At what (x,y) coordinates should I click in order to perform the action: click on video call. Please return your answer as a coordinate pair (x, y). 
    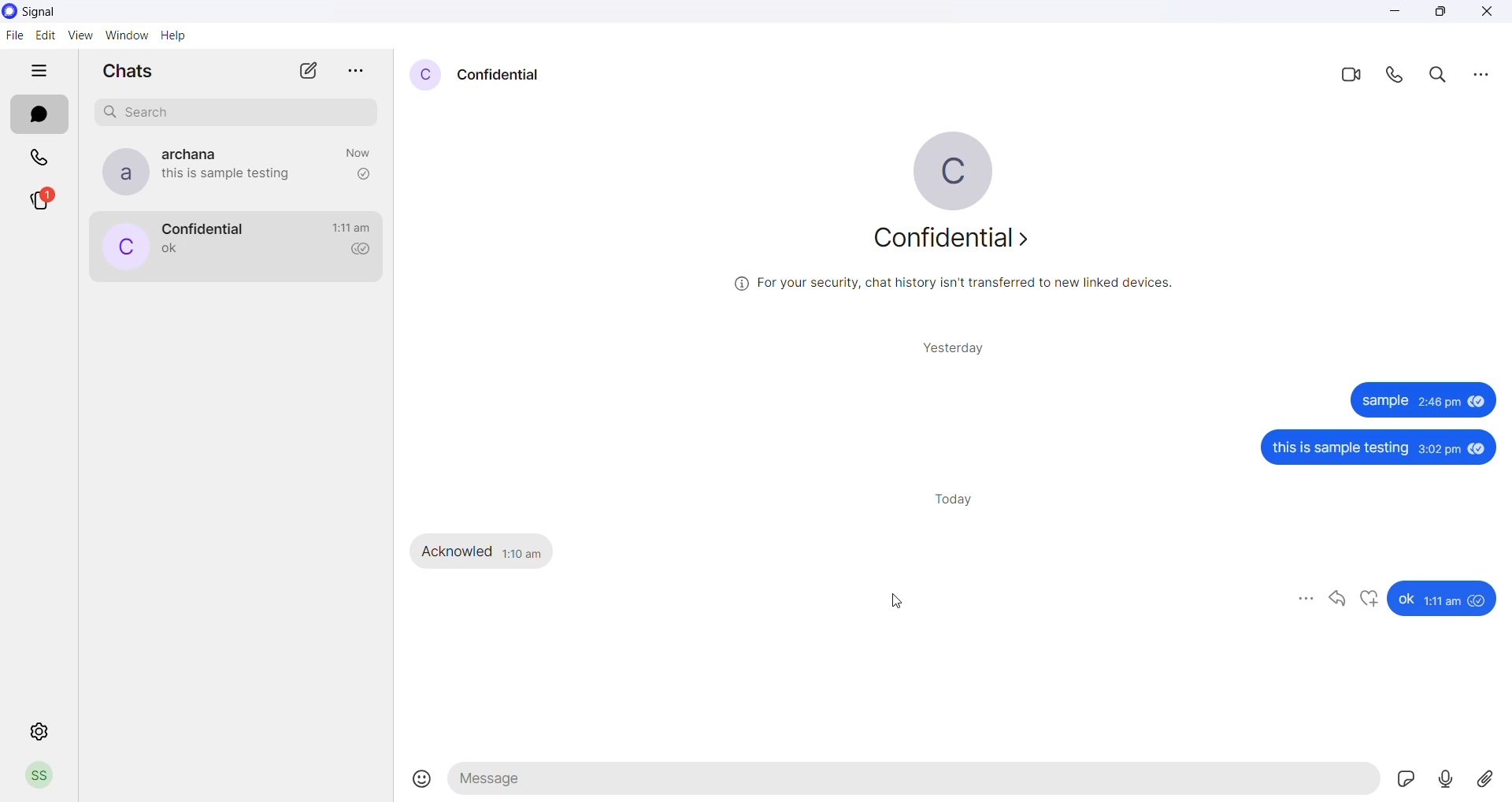
    Looking at the image, I should click on (1349, 73).